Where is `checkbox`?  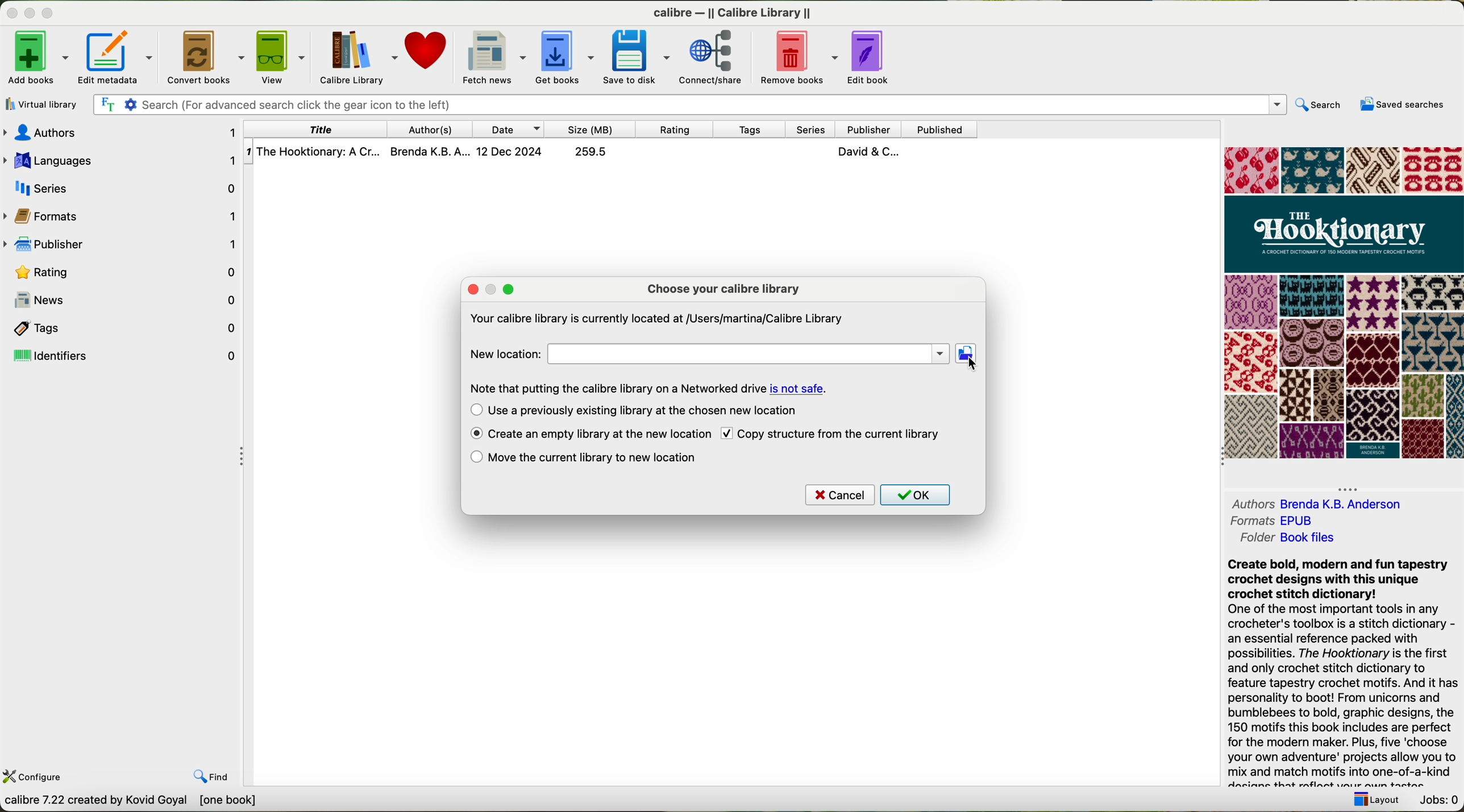 checkbox is located at coordinates (727, 432).